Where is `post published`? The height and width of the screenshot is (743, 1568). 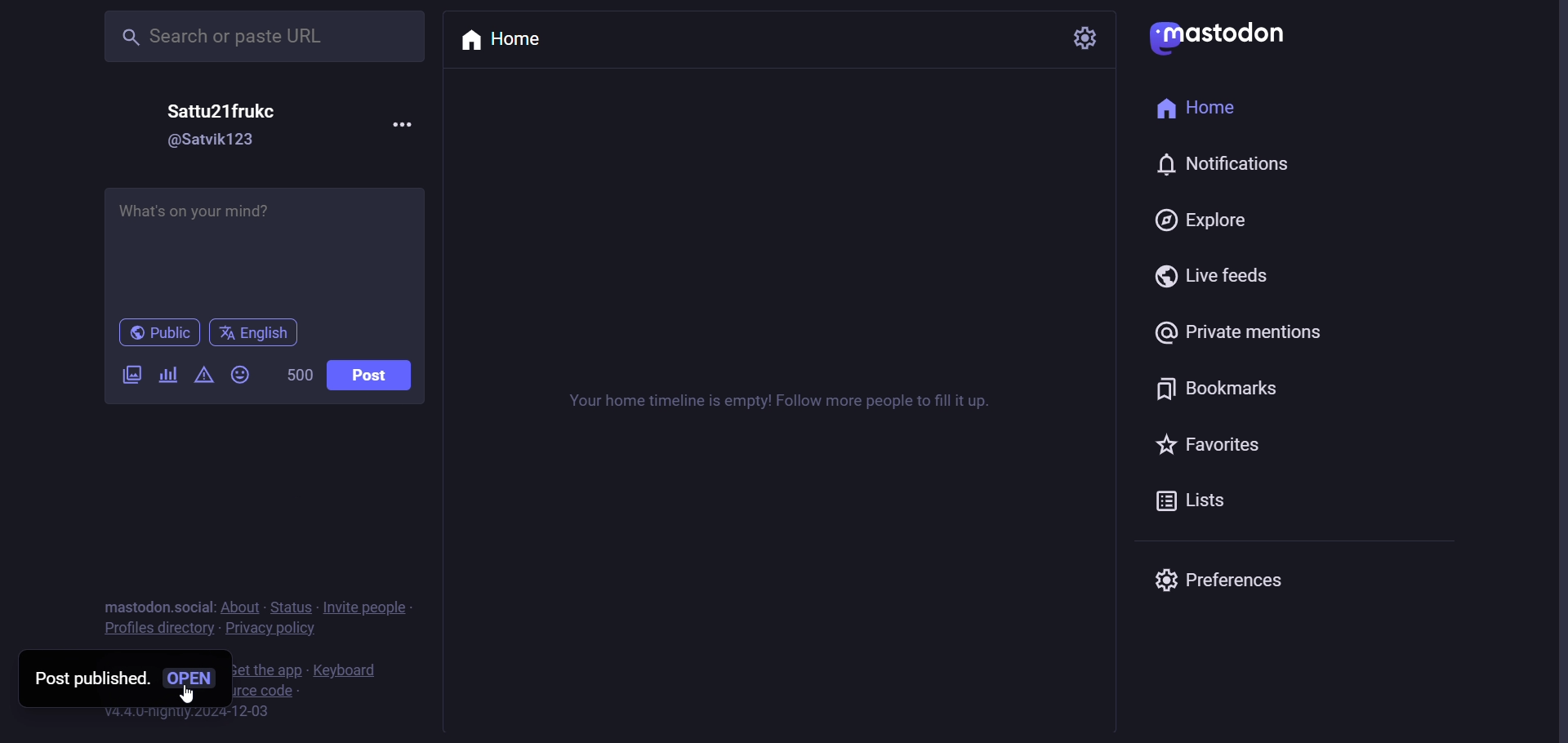 post published is located at coordinates (89, 679).